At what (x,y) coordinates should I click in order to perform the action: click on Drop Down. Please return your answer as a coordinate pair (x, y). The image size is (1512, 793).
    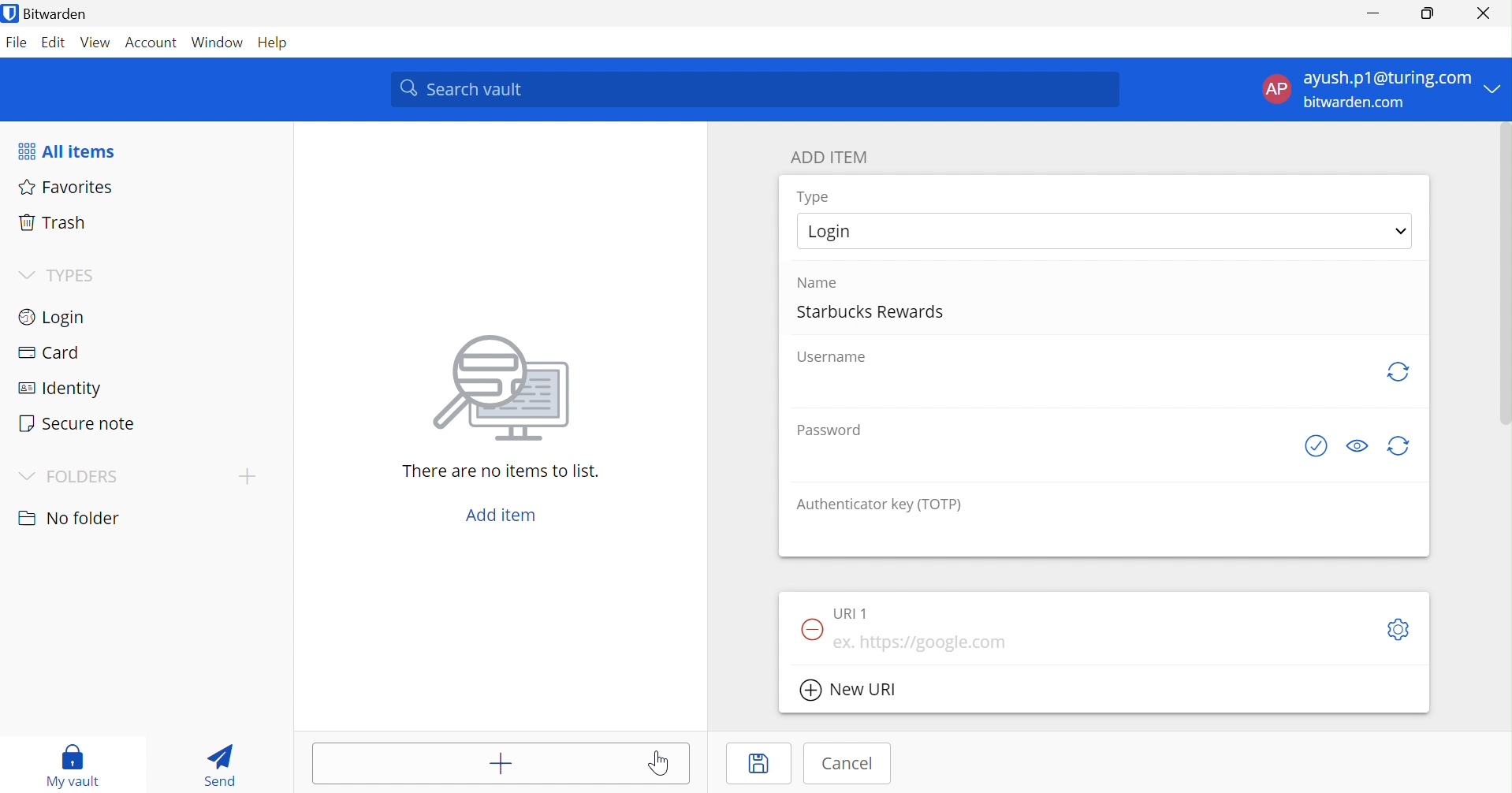
    Looking at the image, I should click on (246, 476).